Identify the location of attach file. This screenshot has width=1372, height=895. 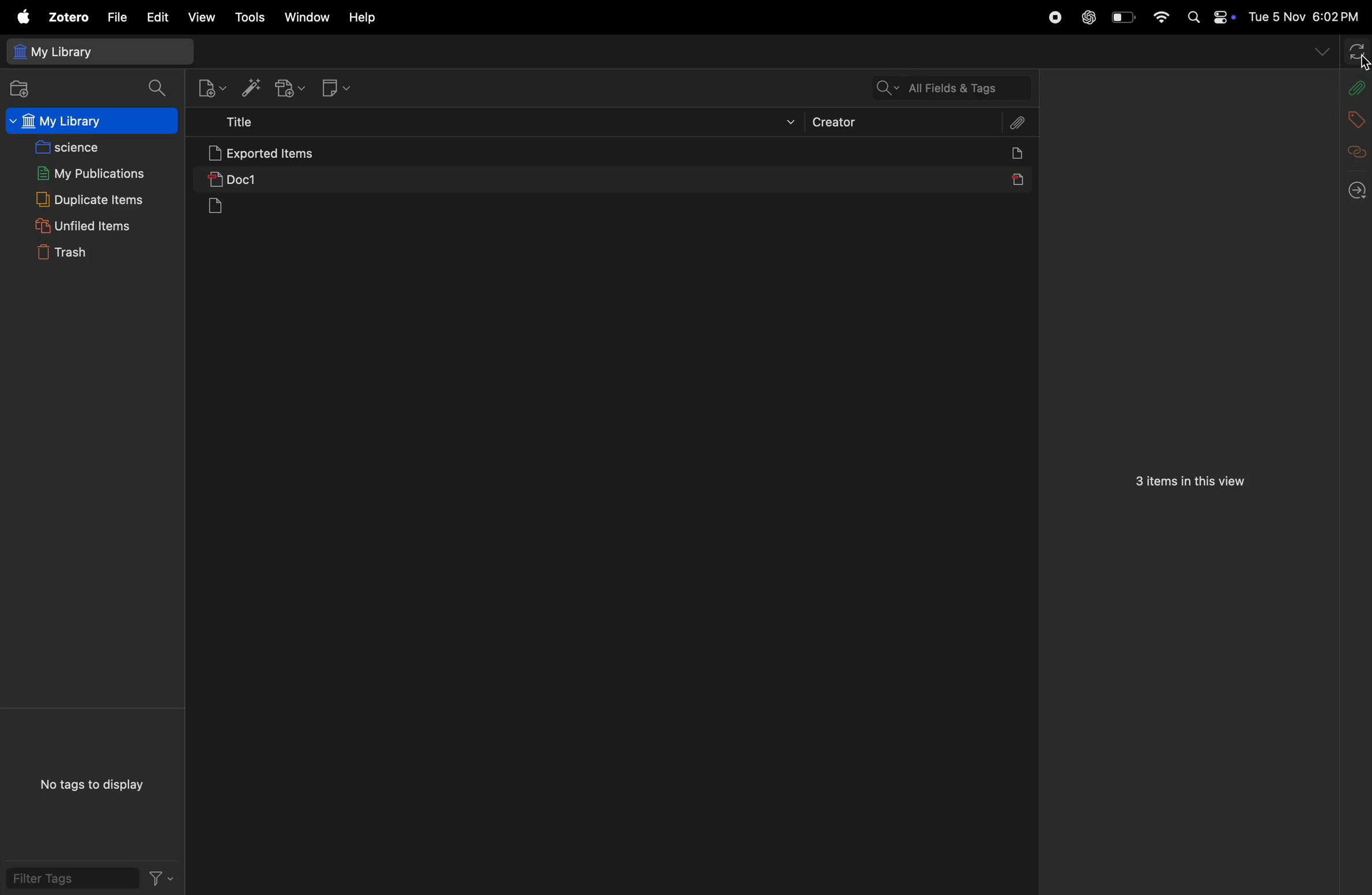
(1018, 122).